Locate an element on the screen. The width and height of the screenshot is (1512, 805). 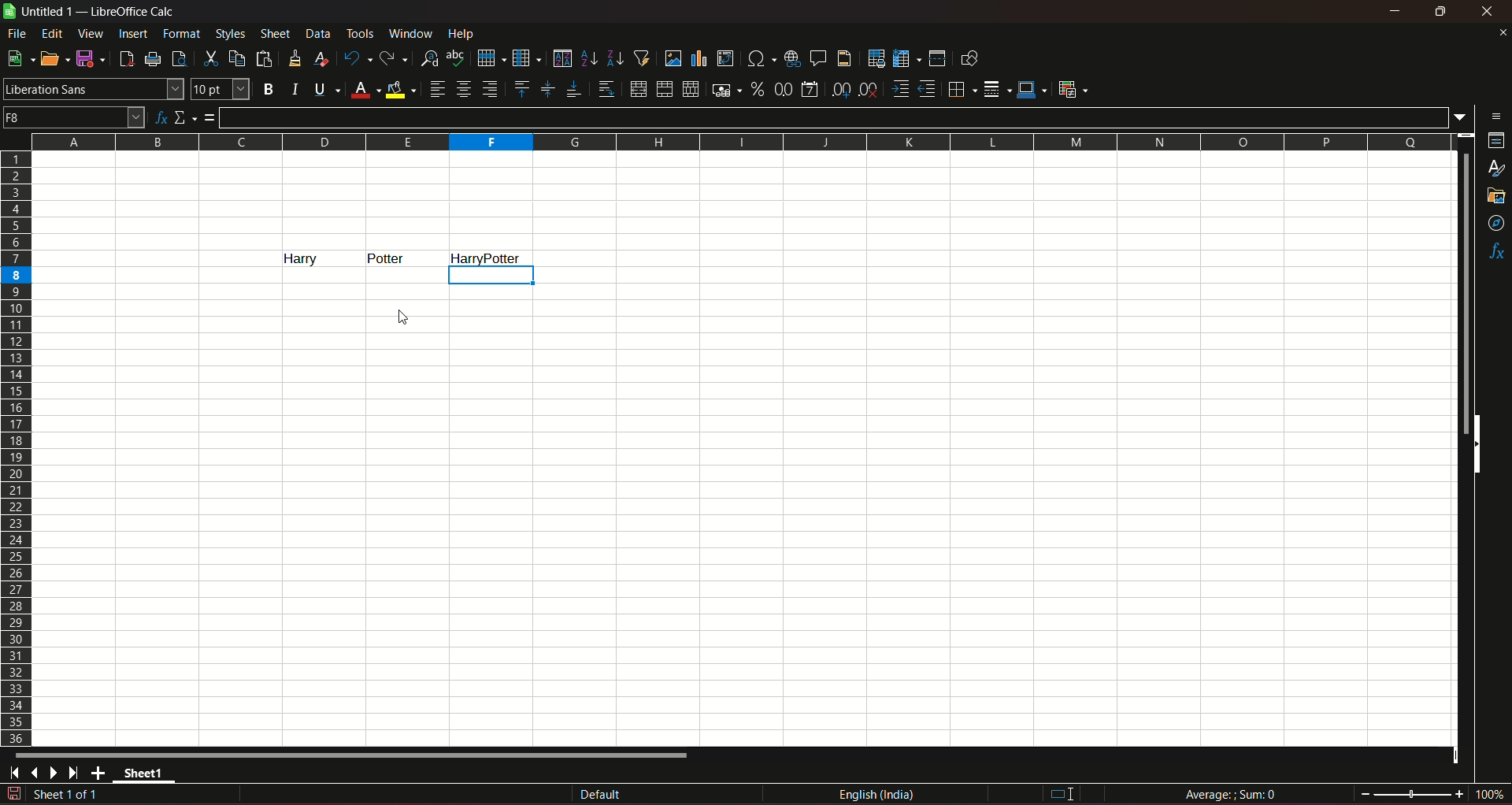
text is located at coordinates (388, 258).